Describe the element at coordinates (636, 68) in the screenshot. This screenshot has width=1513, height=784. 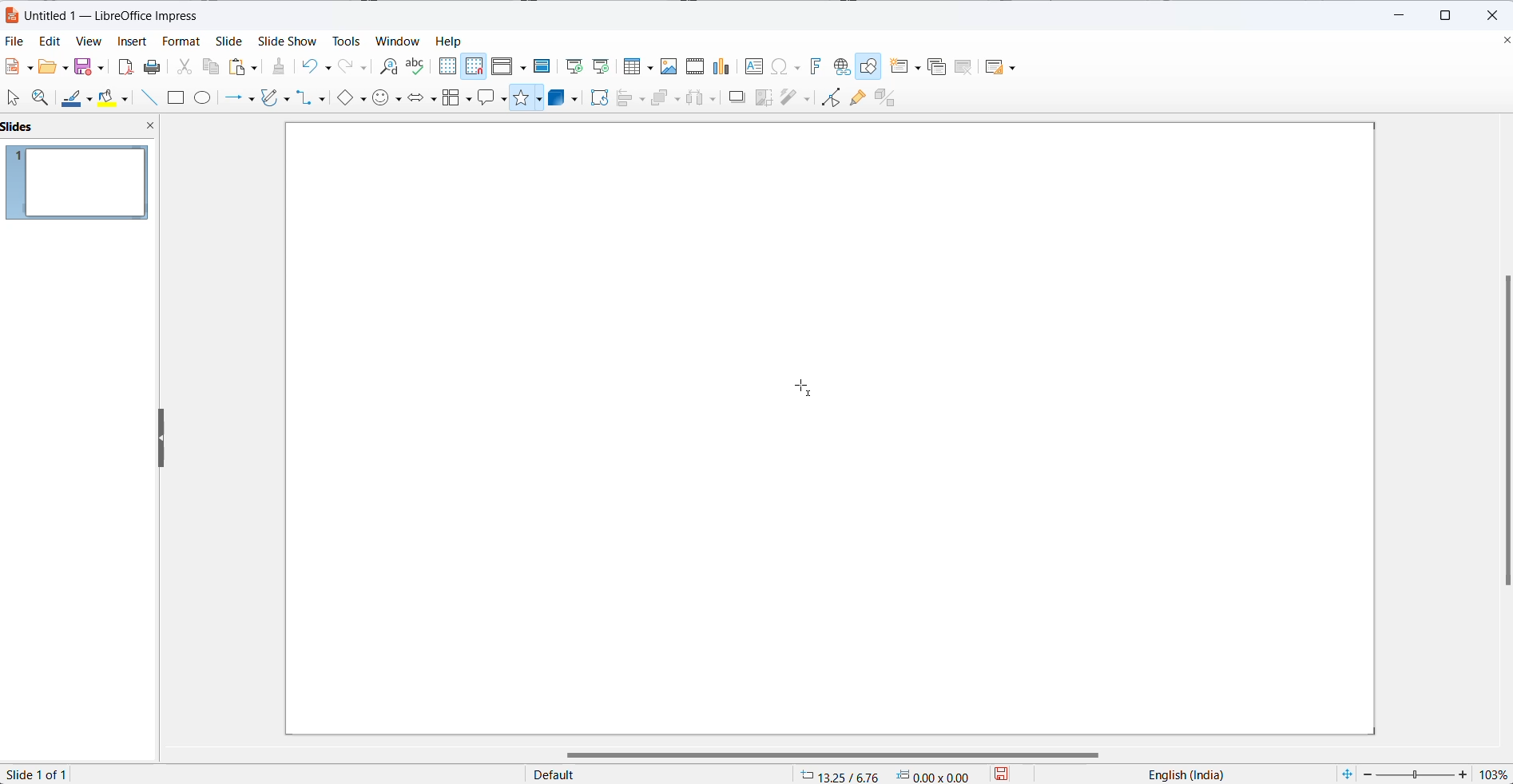
I see `insert table` at that location.